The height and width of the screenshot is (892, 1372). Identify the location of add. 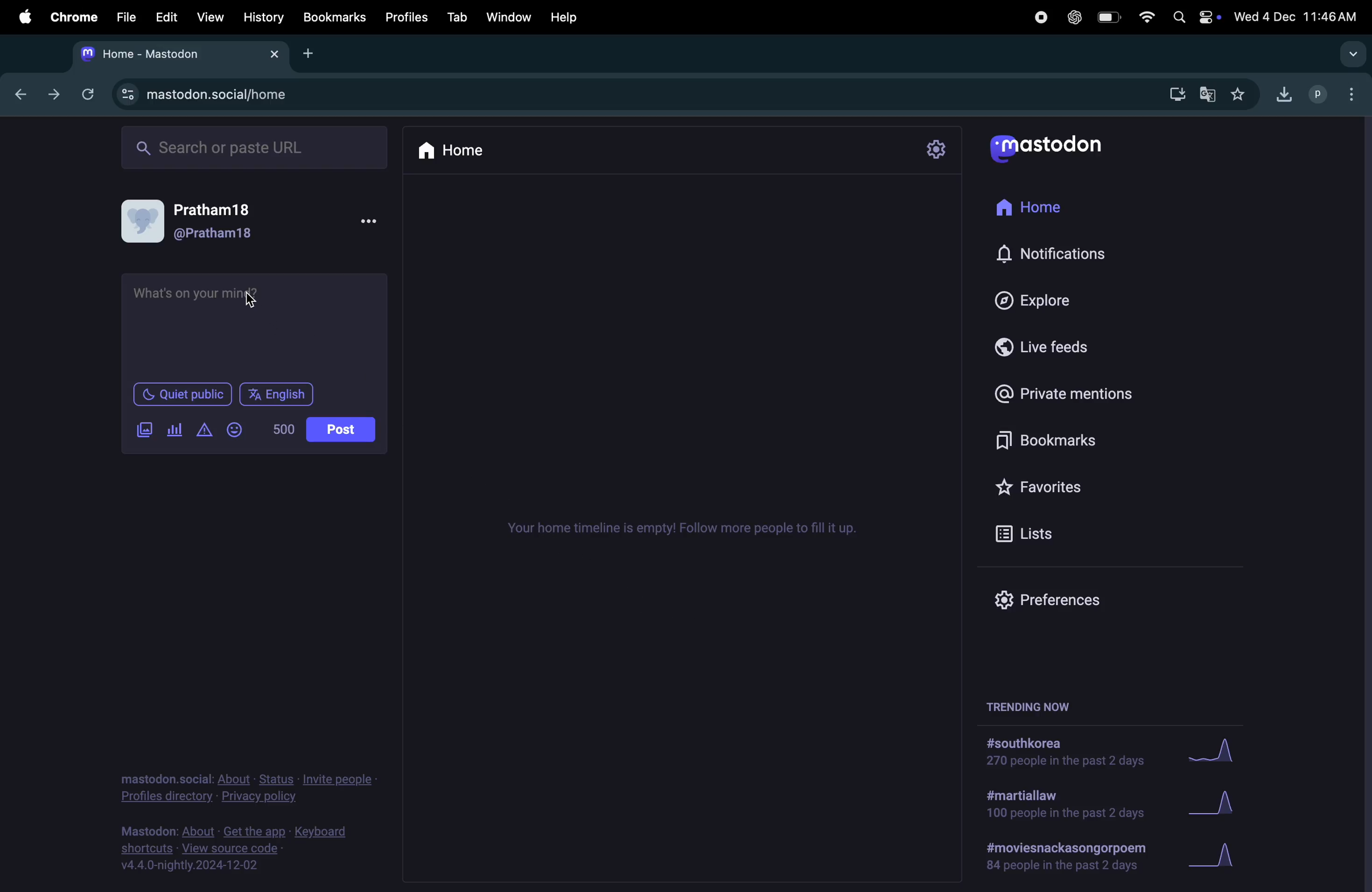
(312, 54).